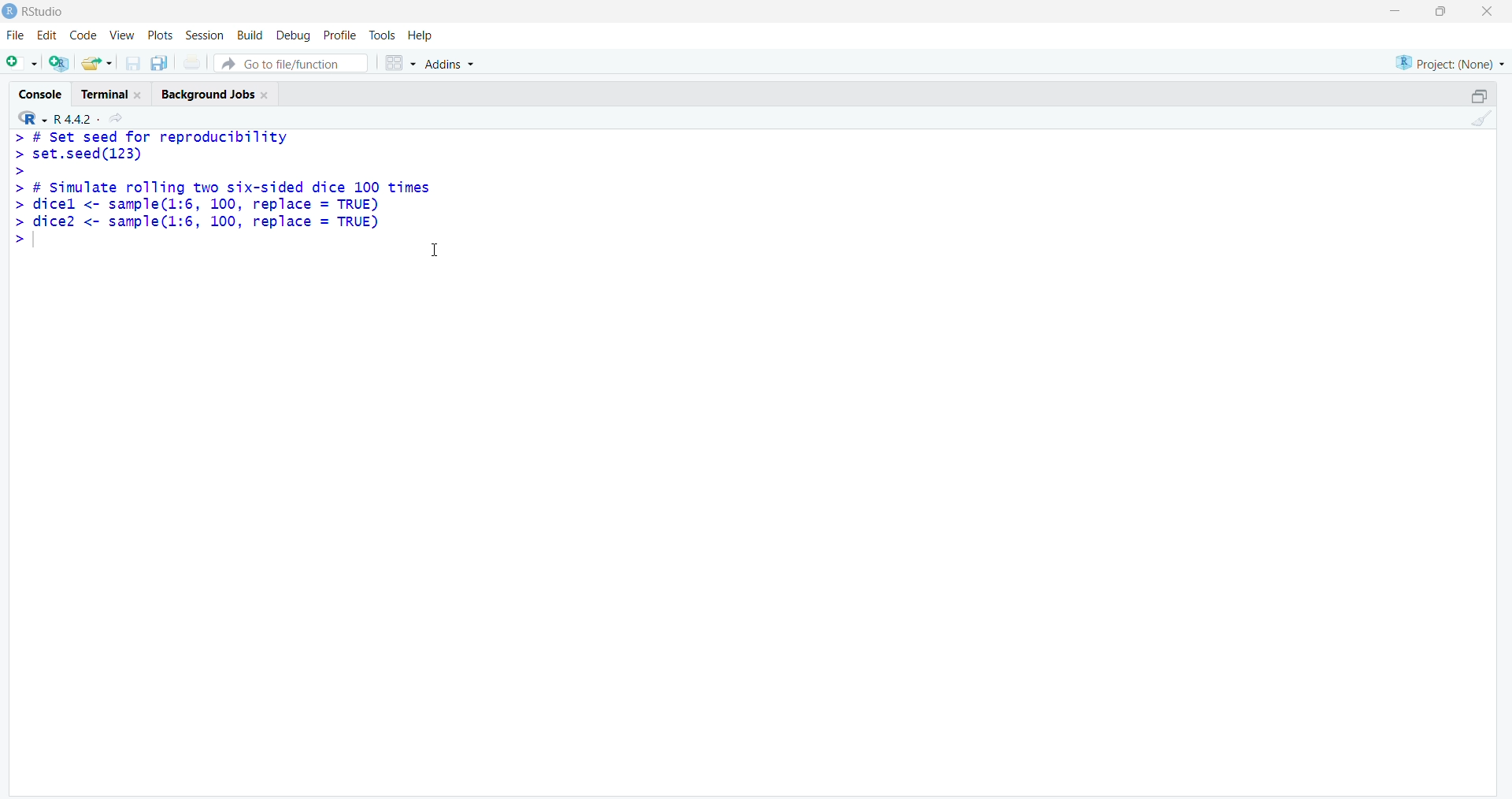 This screenshot has width=1512, height=799. What do you see at coordinates (342, 36) in the screenshot?
I see `profile` at bounding box center [342, 36].